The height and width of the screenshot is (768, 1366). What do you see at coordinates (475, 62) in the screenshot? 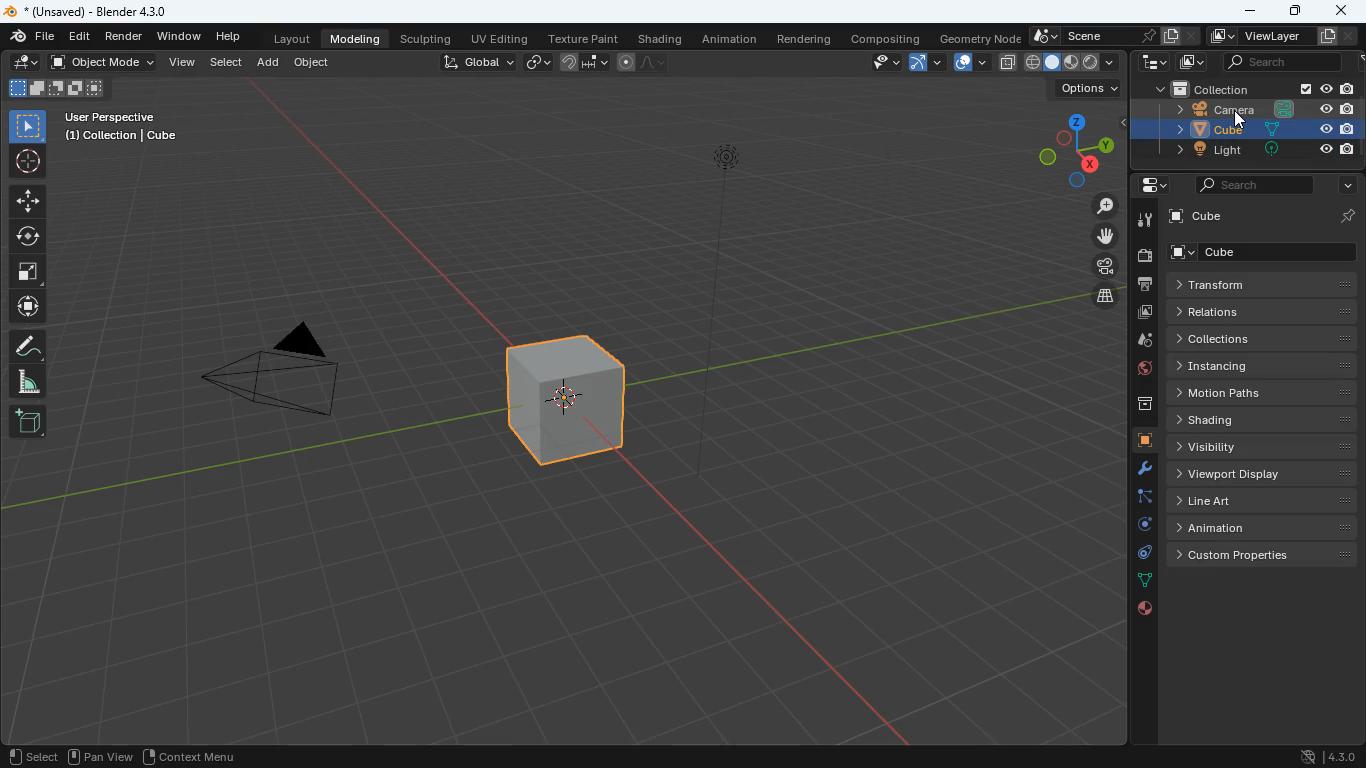
I see `global` at bounding box center [475, 62].